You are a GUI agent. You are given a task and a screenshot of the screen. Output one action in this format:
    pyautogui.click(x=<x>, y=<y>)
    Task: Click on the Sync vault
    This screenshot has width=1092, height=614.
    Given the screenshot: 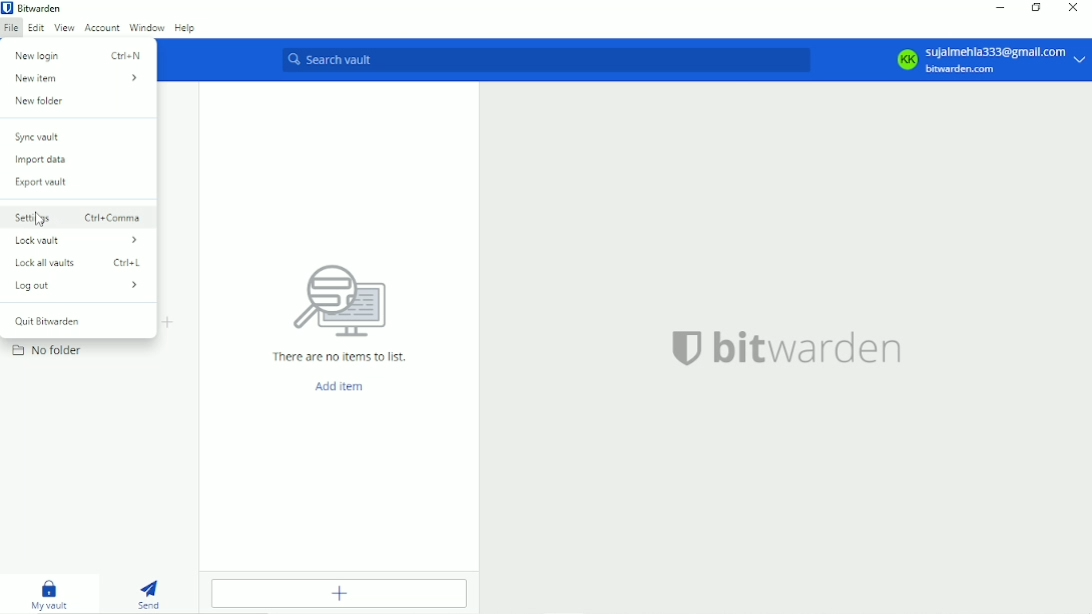 What is the action you would take?
    pyautogui.click(x=37, y=137)
    